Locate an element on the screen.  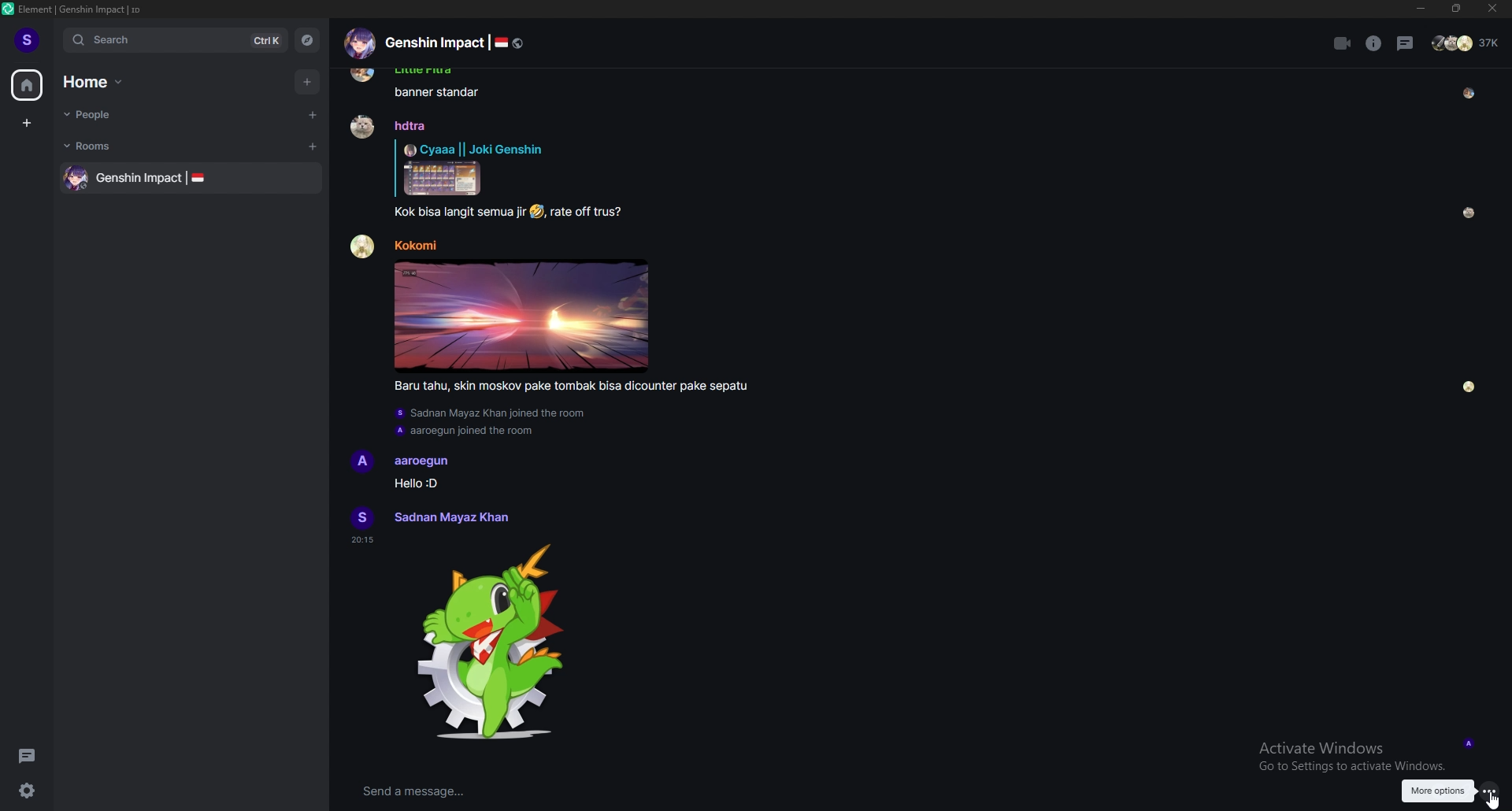
seen by is located at coordinates (1469, 213).